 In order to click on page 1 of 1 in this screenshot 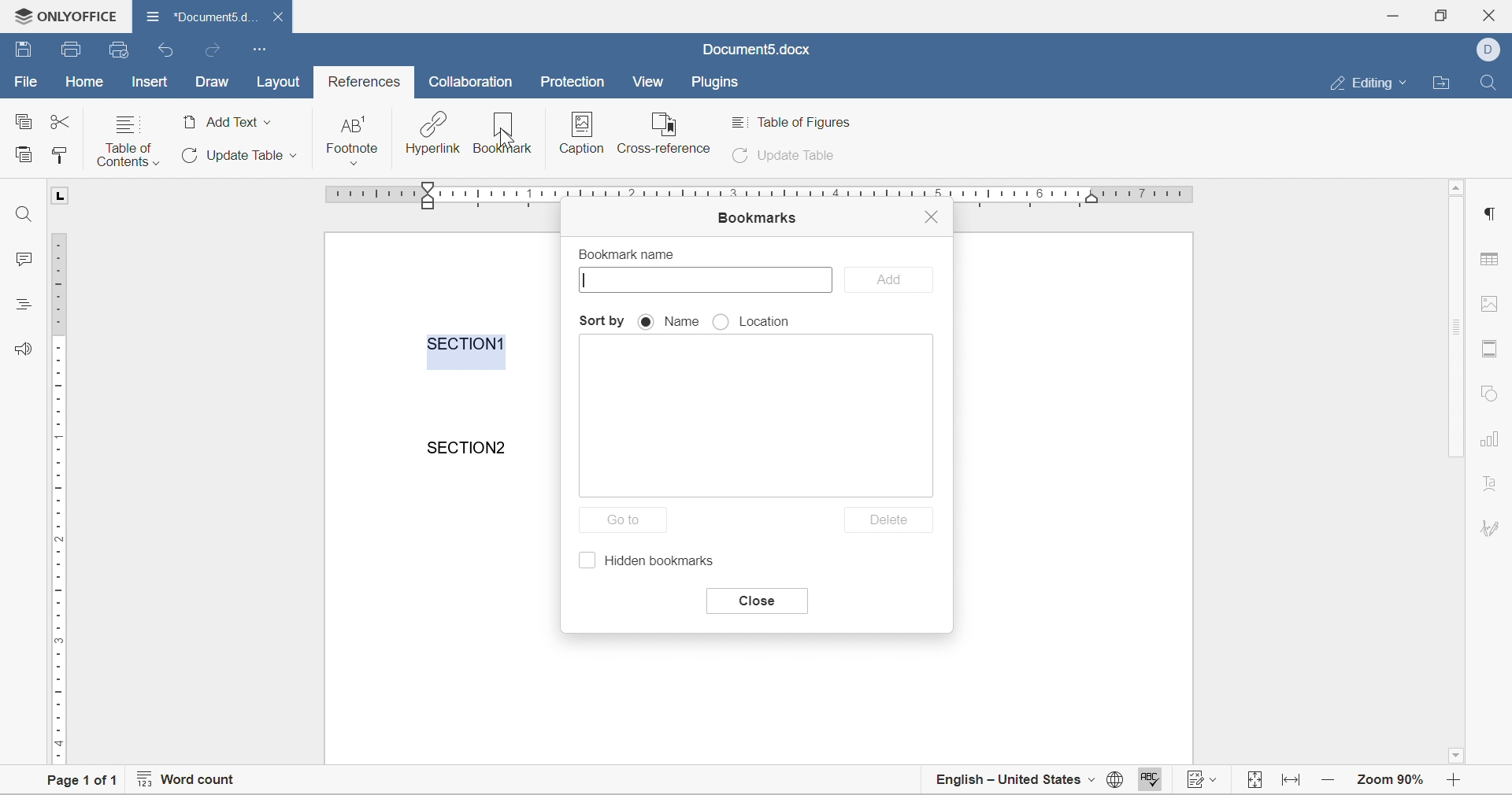, I will do `click(76, 782)`.